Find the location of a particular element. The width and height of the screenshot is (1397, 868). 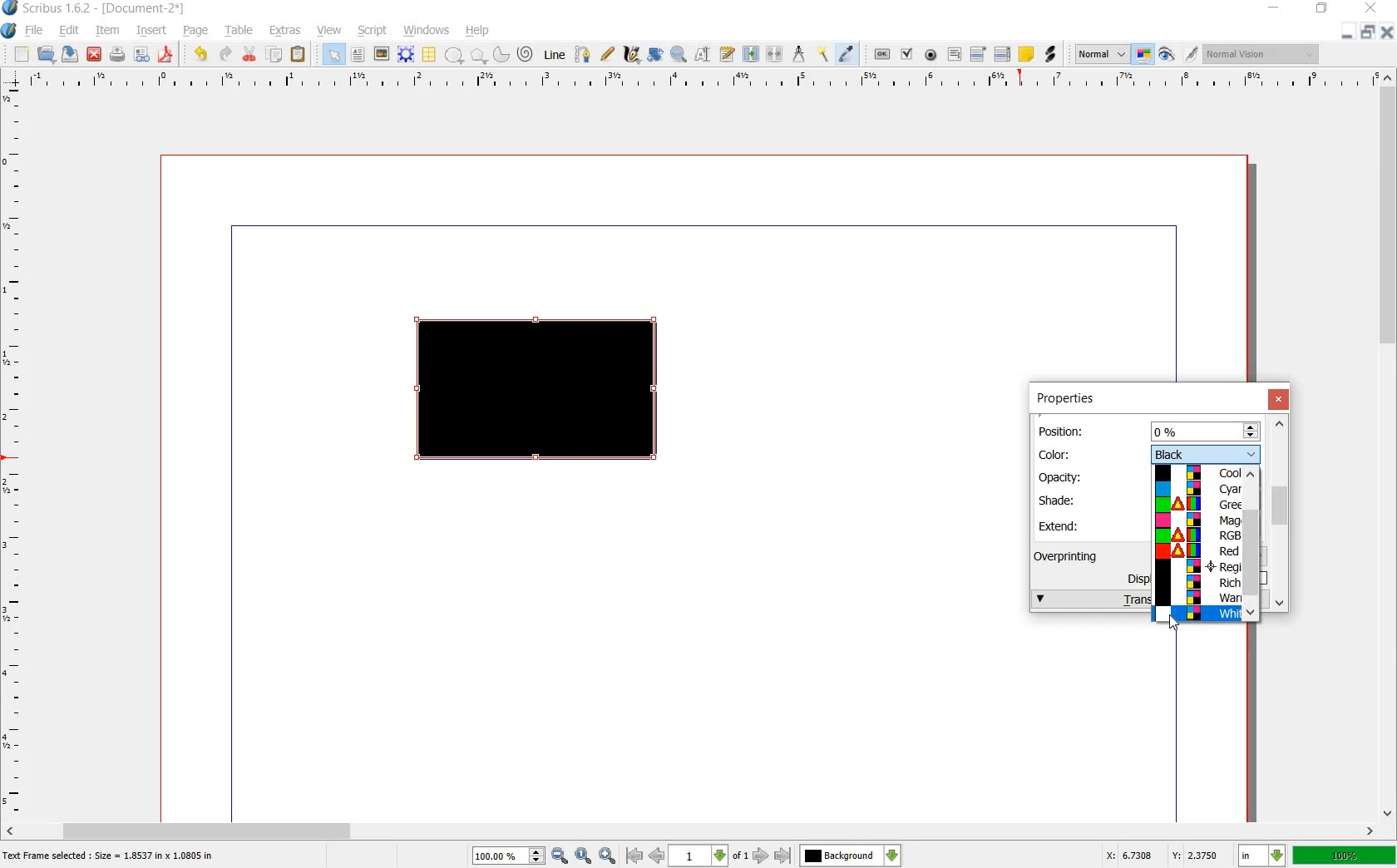

pdf list box is located at coordinates (1002, 53).